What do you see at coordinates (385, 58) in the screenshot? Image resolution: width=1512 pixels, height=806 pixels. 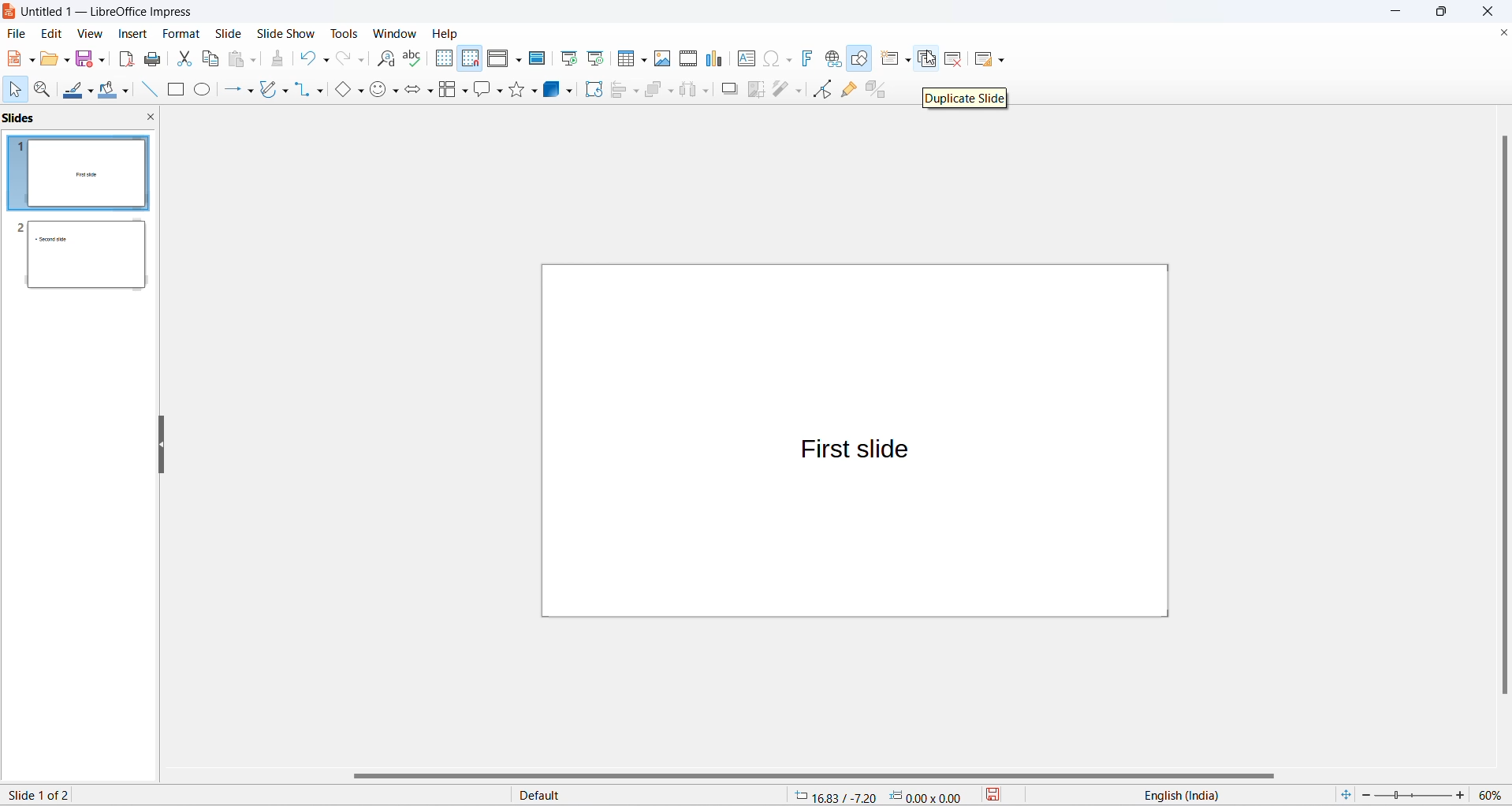 I see `find and replace` at bounding box center [385, 58].